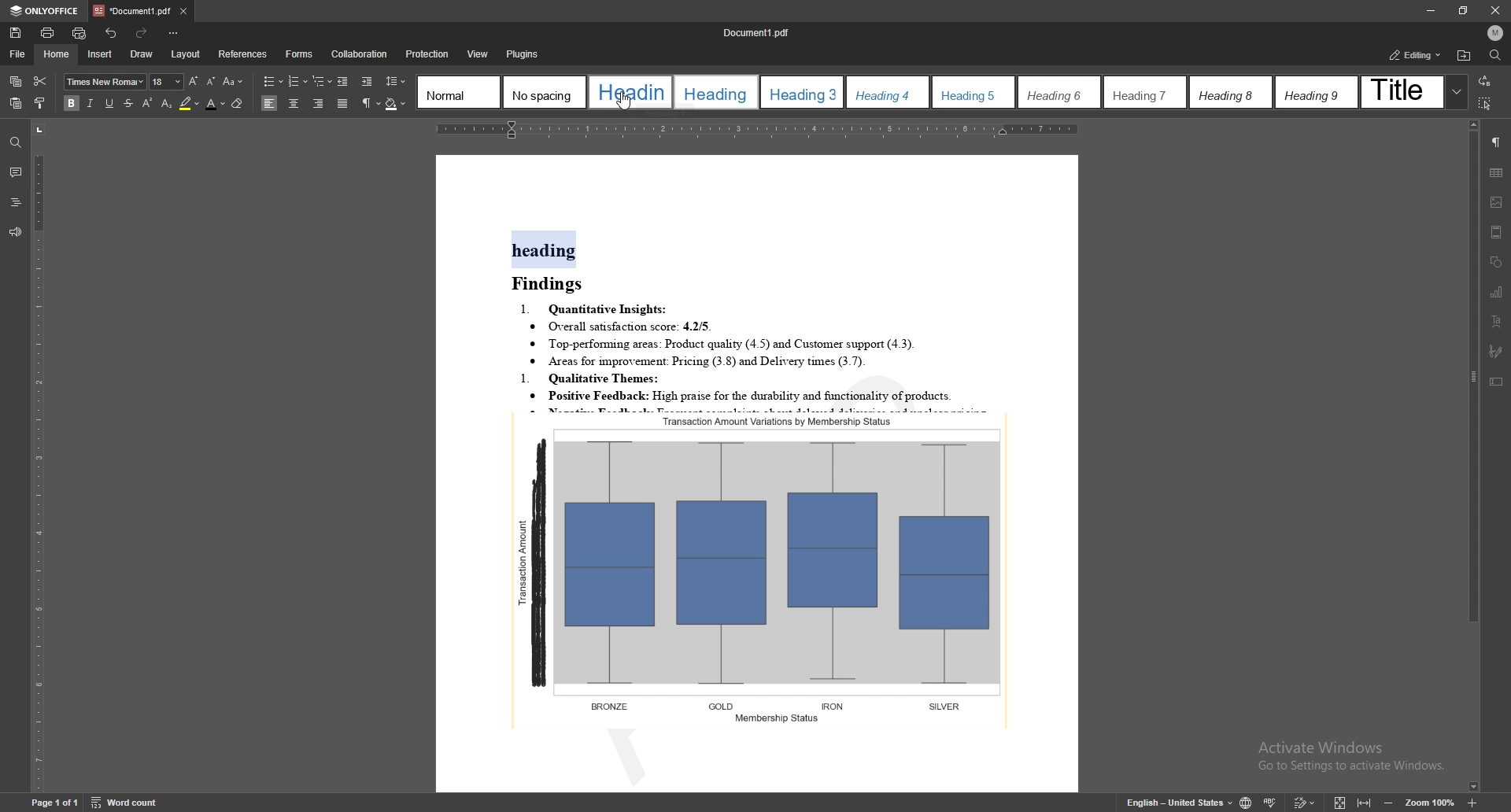 This screenshot has height=812, width=1511. Describe the element at coordinates (767, 397) in the screenshot. I see `* Positive Feedback: High praise for the durability and functionality of products.` at that location.